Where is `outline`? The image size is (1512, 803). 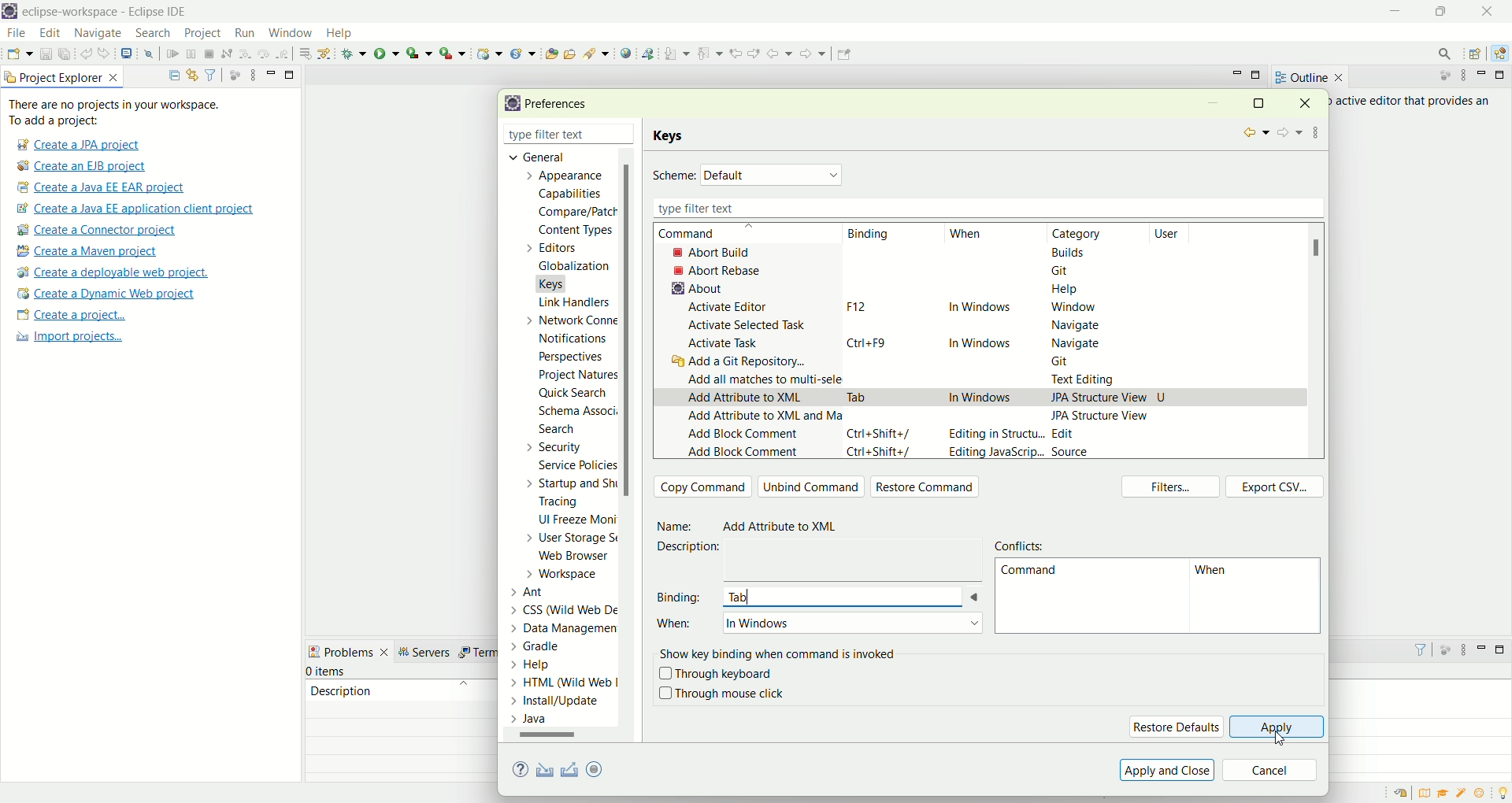 outline is located at coordinates (1309, 77).